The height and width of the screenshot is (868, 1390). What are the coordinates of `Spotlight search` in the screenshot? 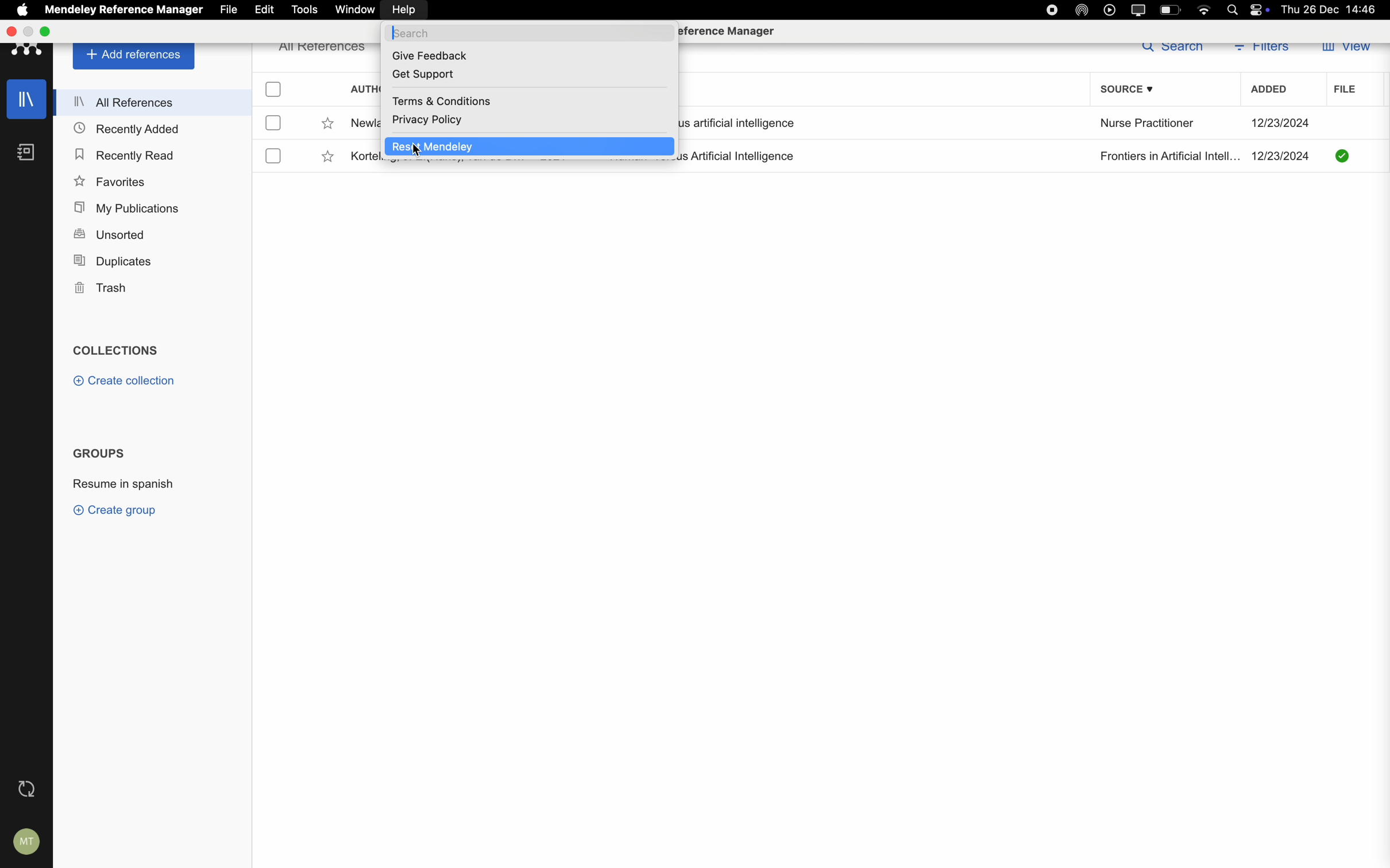 It's located at (1231, 9).